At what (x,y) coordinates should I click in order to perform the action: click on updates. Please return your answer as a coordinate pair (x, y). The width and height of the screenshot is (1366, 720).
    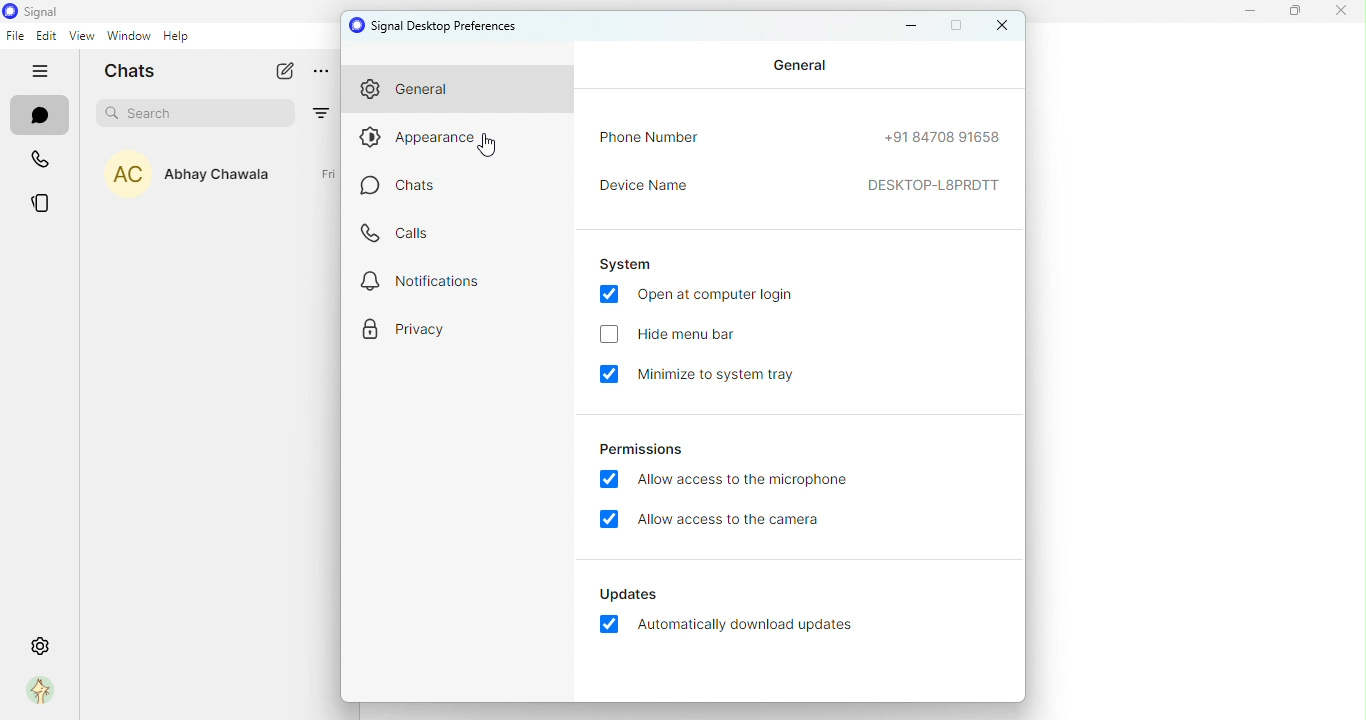
    Looking at the image, I should click on (620, 595).